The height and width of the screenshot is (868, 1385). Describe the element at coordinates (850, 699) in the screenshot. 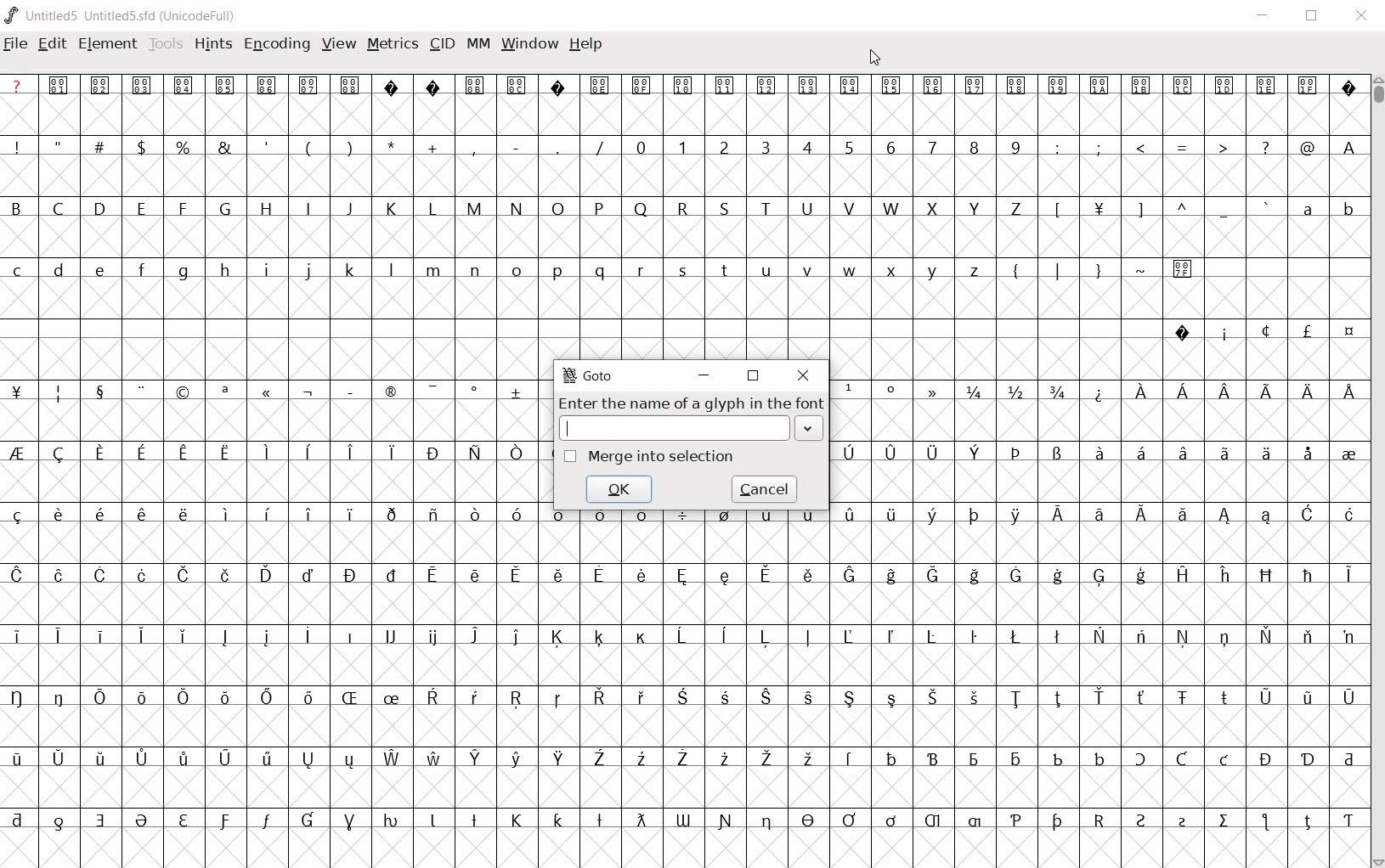

I see `Symbol` at that location.